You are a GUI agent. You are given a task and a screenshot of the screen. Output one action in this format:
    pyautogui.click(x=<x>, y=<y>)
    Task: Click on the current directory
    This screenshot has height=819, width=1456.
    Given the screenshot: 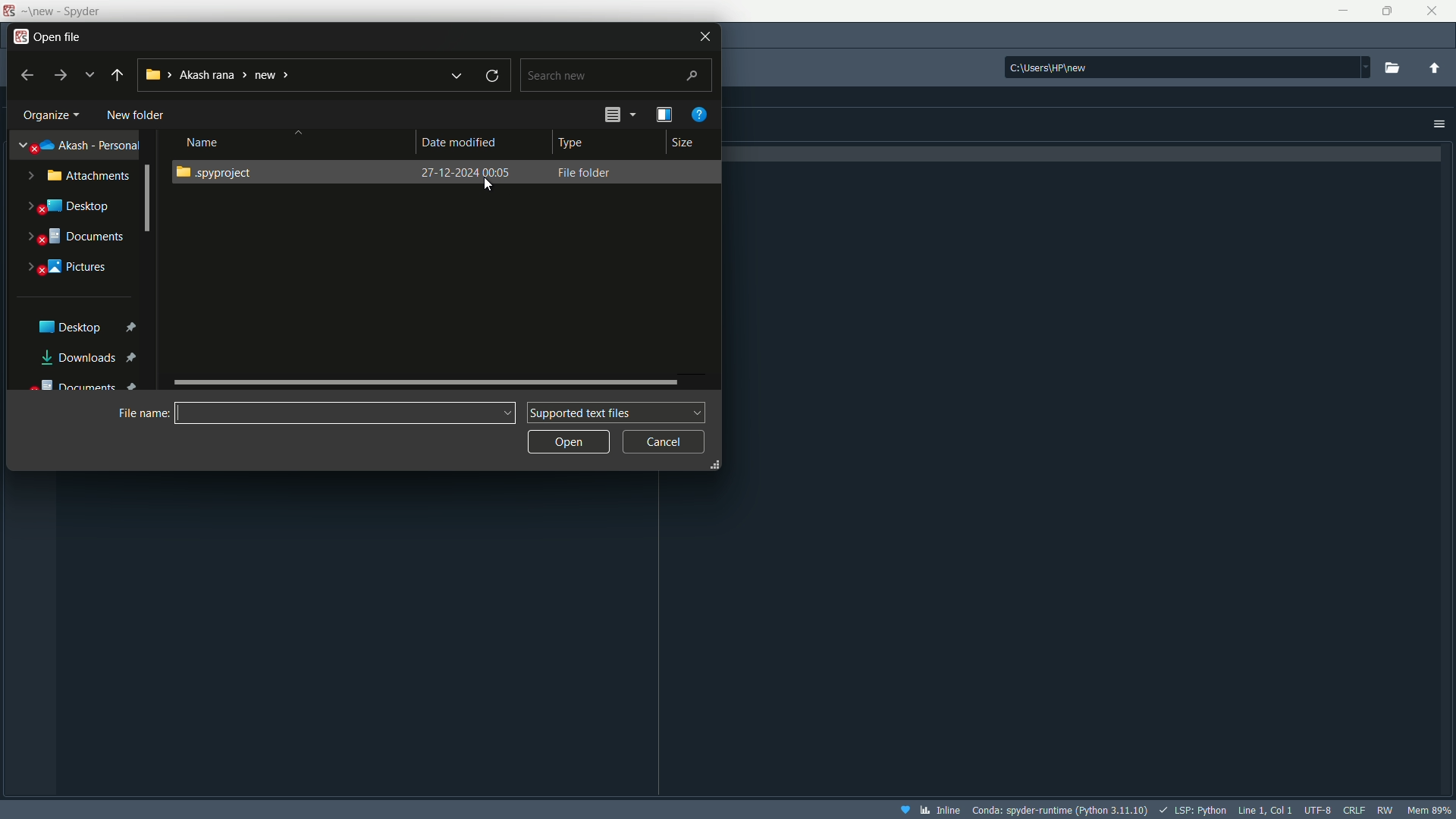 What is the action you would take?
    pyautogui.click(x=231, y=75)
    